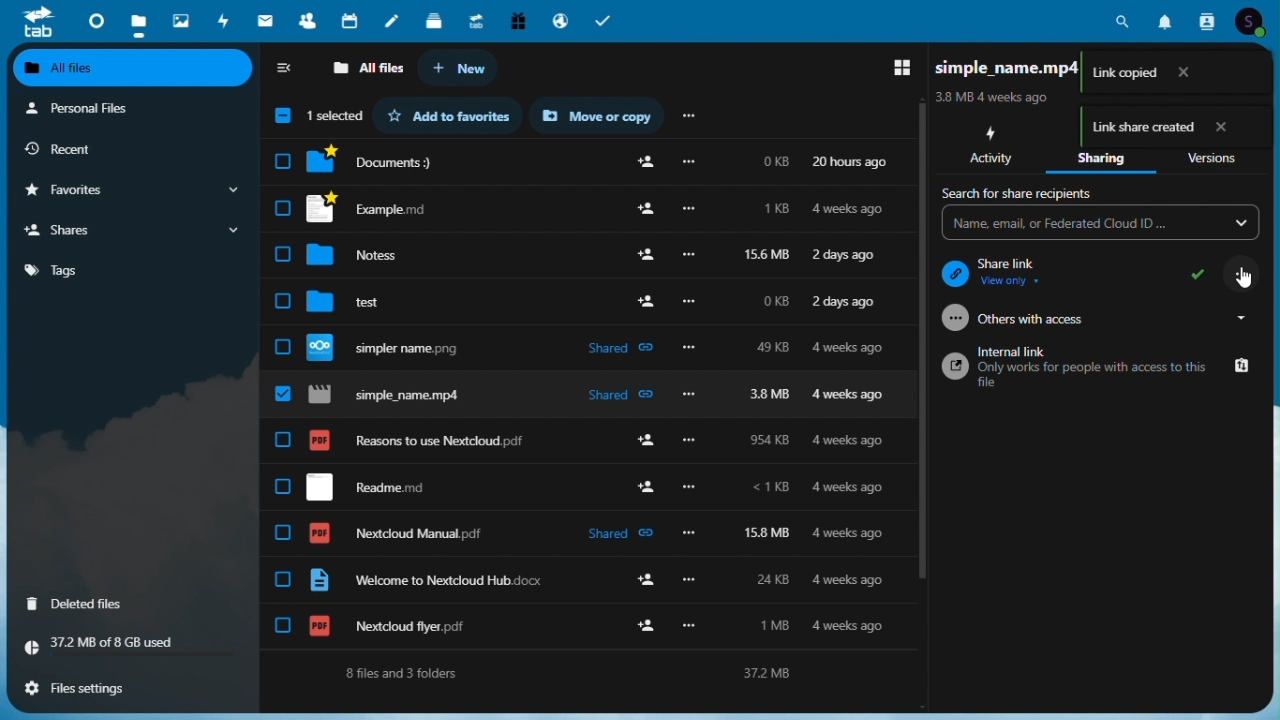 The width and height of the screenshot is (1280, 720). I want to click on deck, so click(434, 22).